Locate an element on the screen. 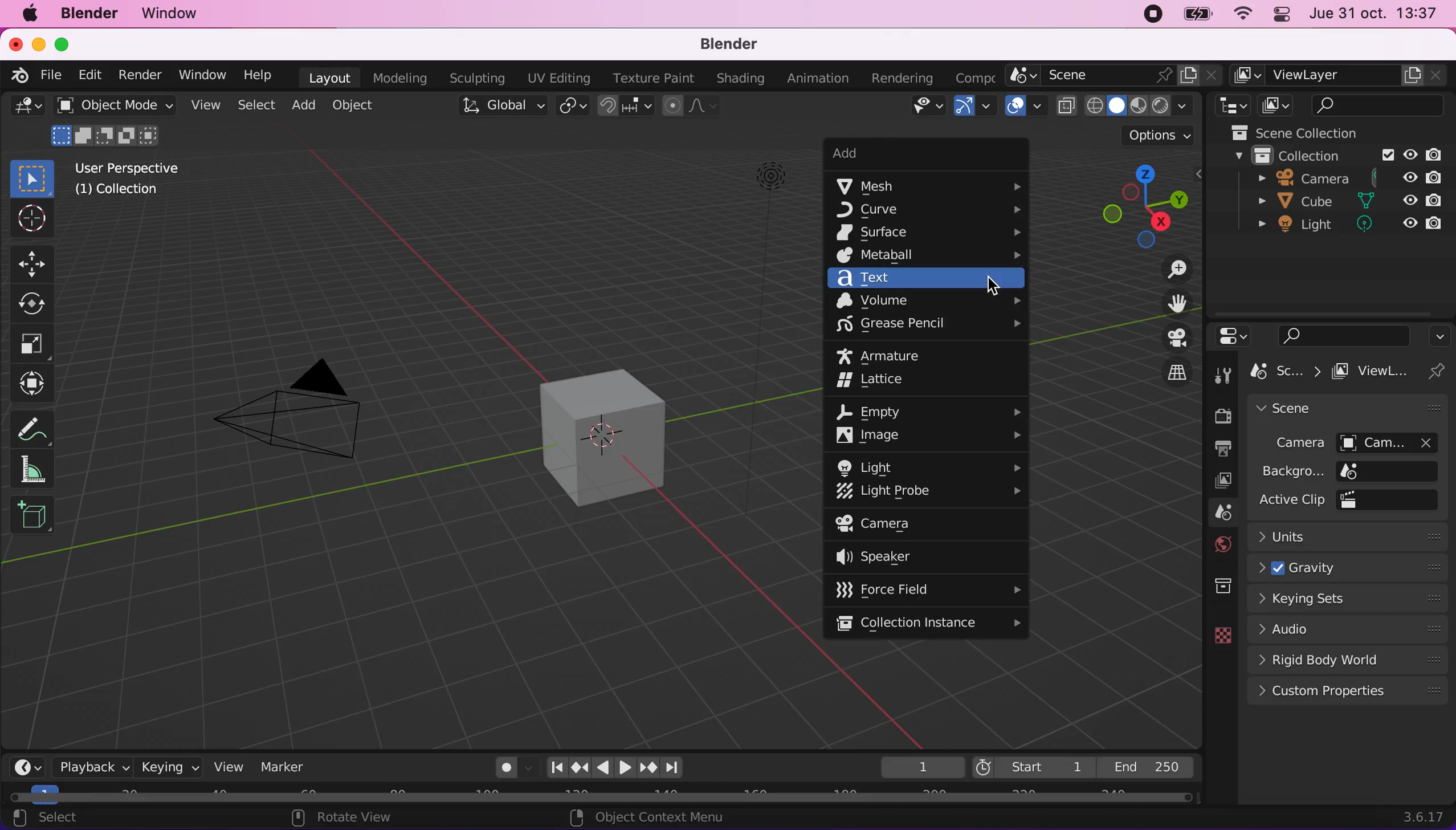 The image size is (1456, 830). select box is located at coordinates (35, 180).